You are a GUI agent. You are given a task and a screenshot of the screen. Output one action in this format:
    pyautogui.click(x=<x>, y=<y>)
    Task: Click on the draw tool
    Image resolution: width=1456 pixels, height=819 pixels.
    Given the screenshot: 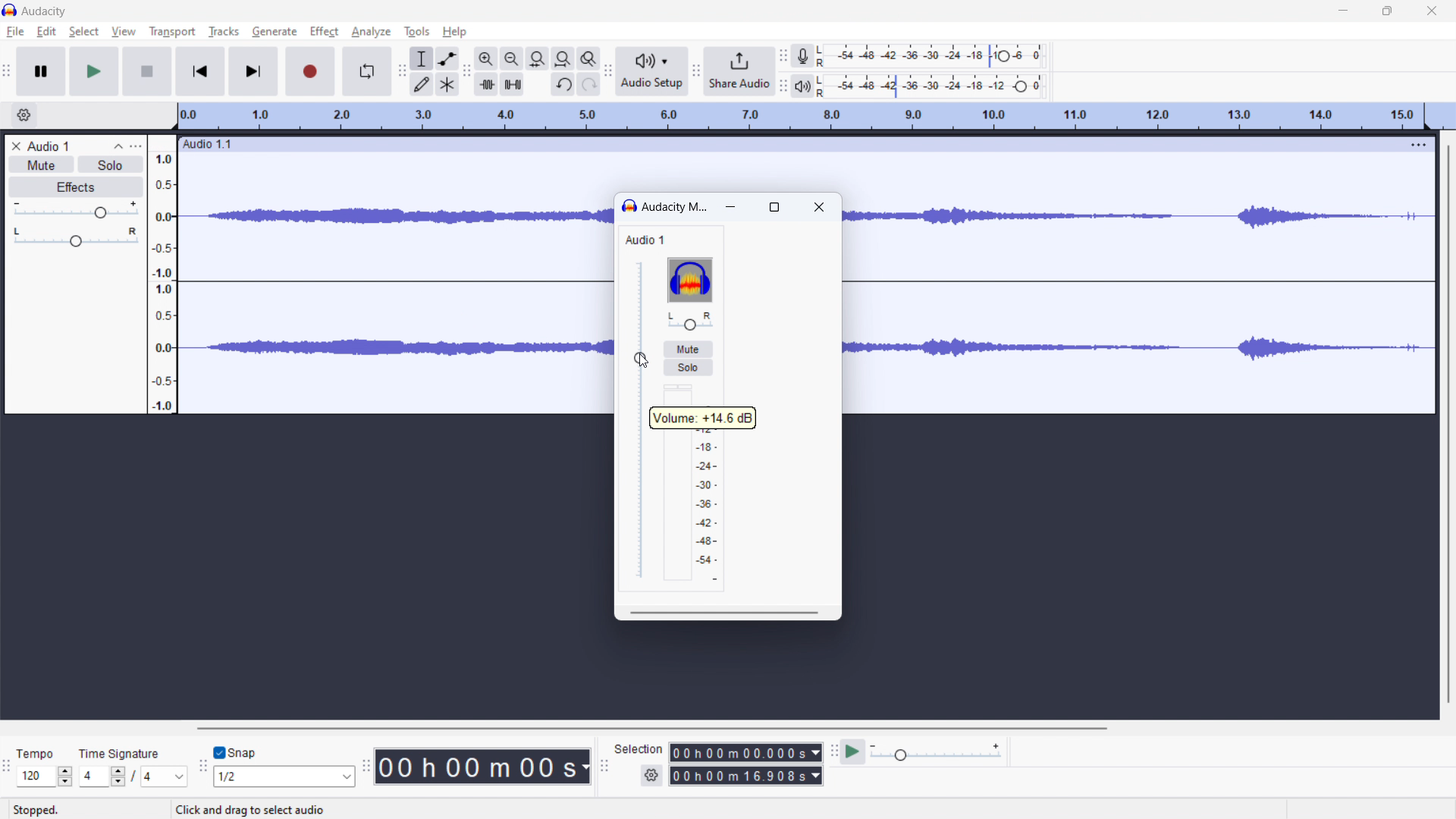 What is the action you would take?
    pyautogui.click(x=420, y=83)
    